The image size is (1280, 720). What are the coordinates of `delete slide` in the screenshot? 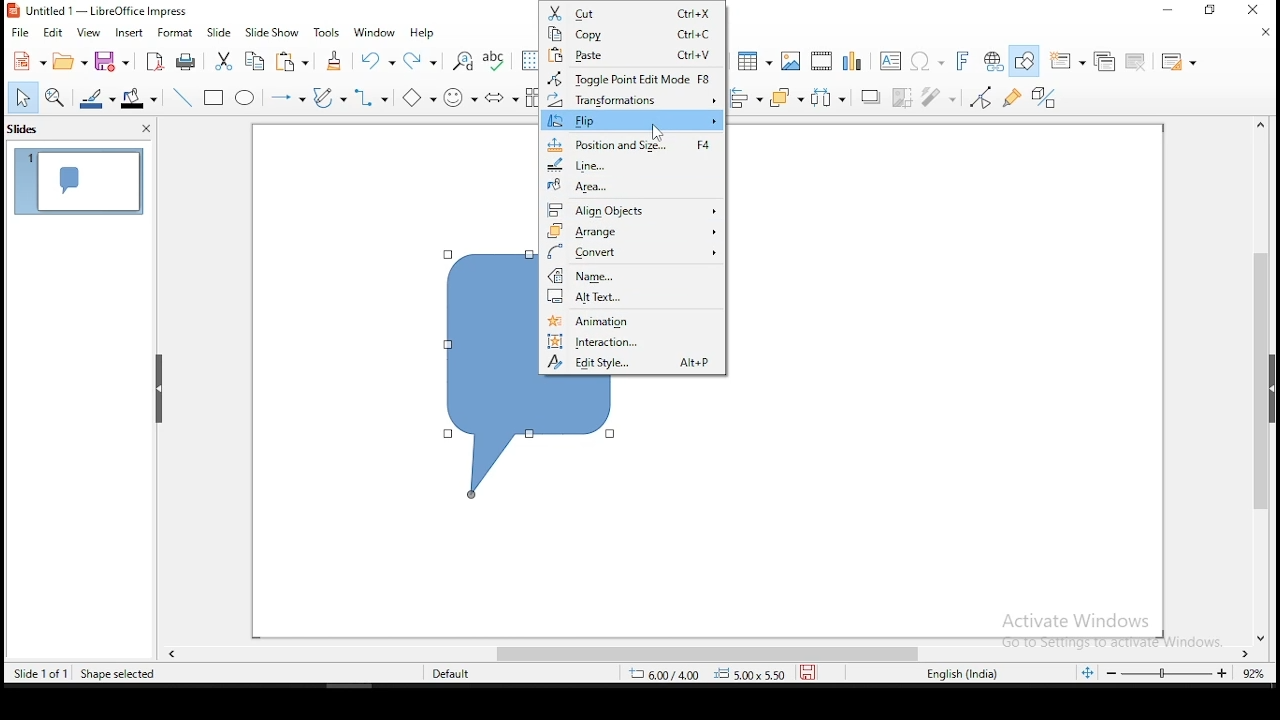 It's located at (1139, 61).